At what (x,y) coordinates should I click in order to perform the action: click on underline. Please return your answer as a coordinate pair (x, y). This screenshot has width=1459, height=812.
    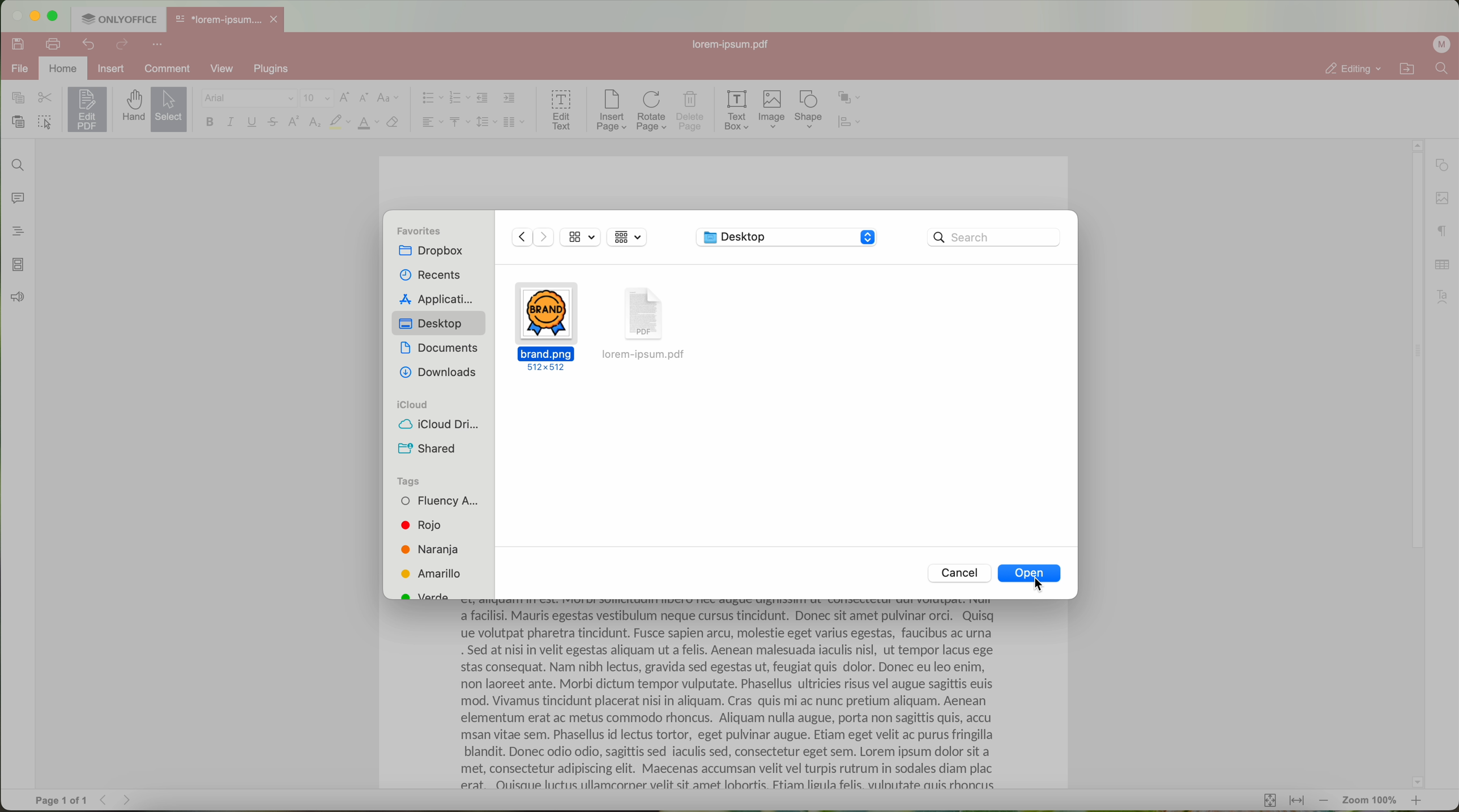
    Looking at the image, I should click on (253, 124).